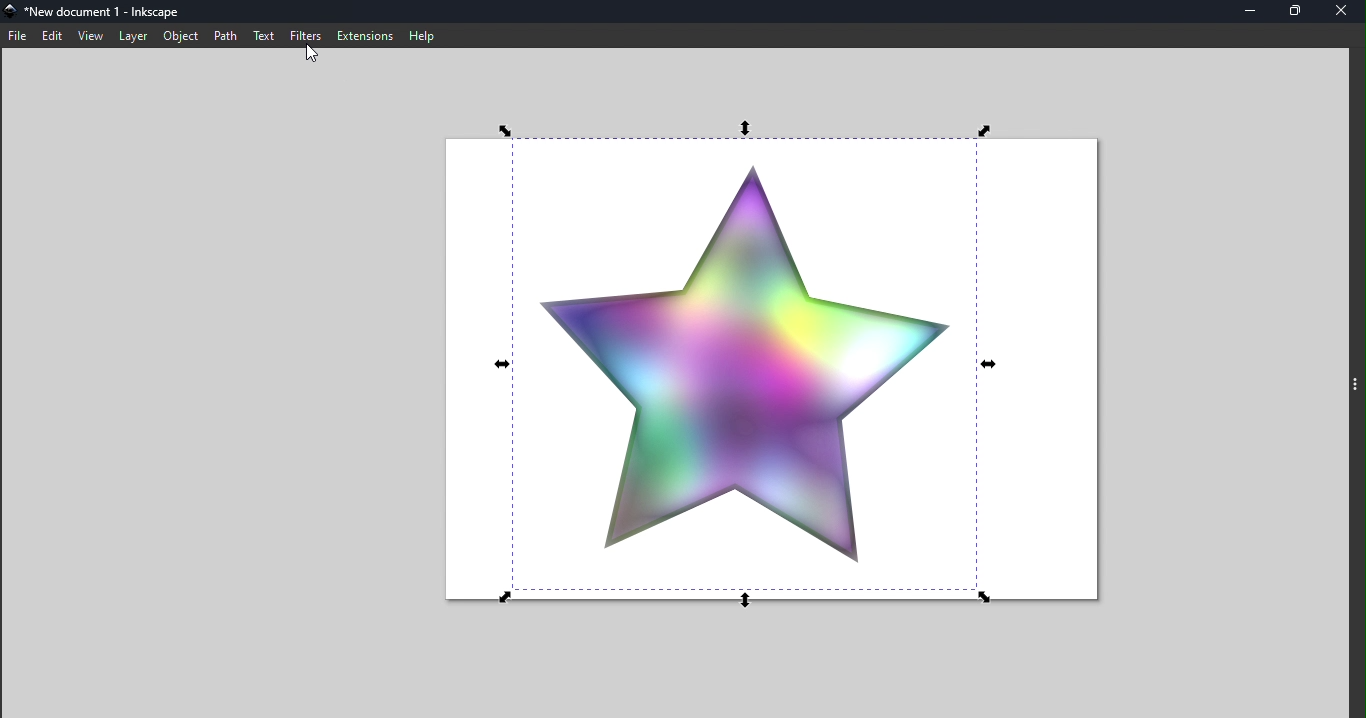 This screenshot has width=1366, height=718. I want to click on Text, so click(266, 37).